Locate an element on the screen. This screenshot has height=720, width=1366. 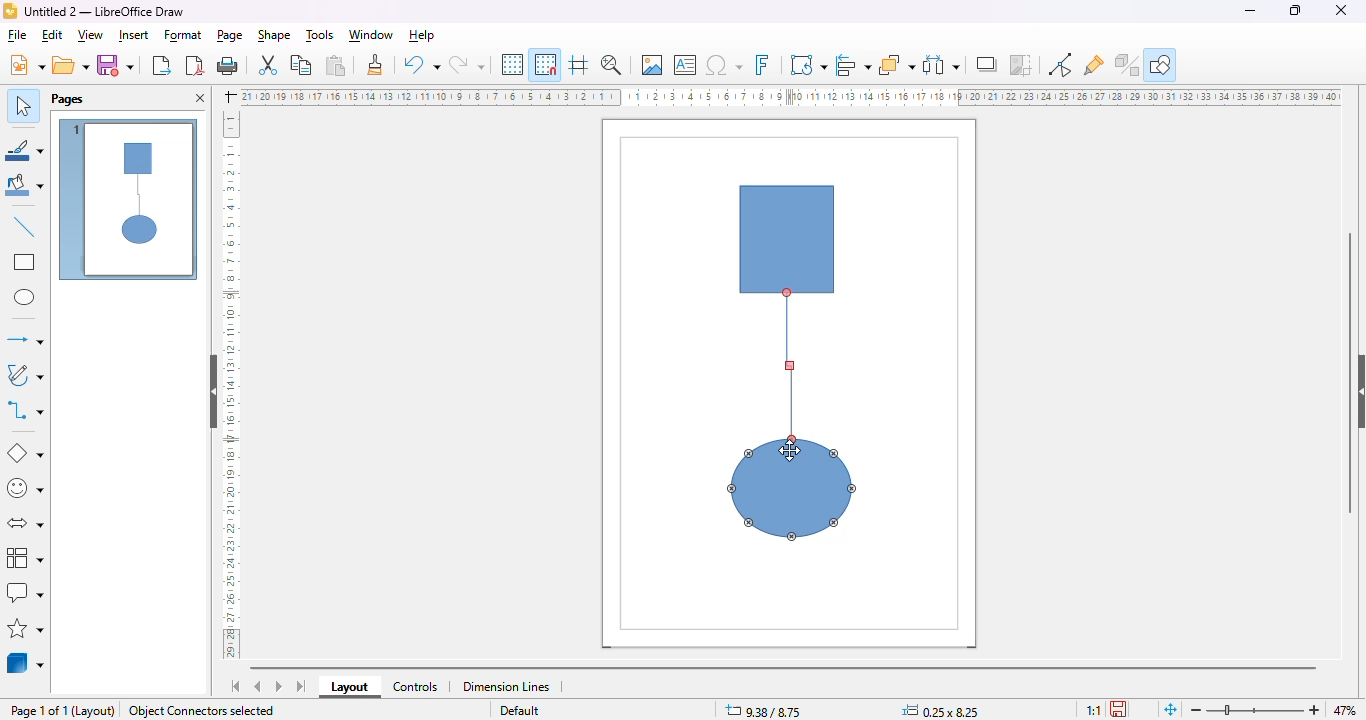
insert fontwork text is located at coordinates (762, 64).